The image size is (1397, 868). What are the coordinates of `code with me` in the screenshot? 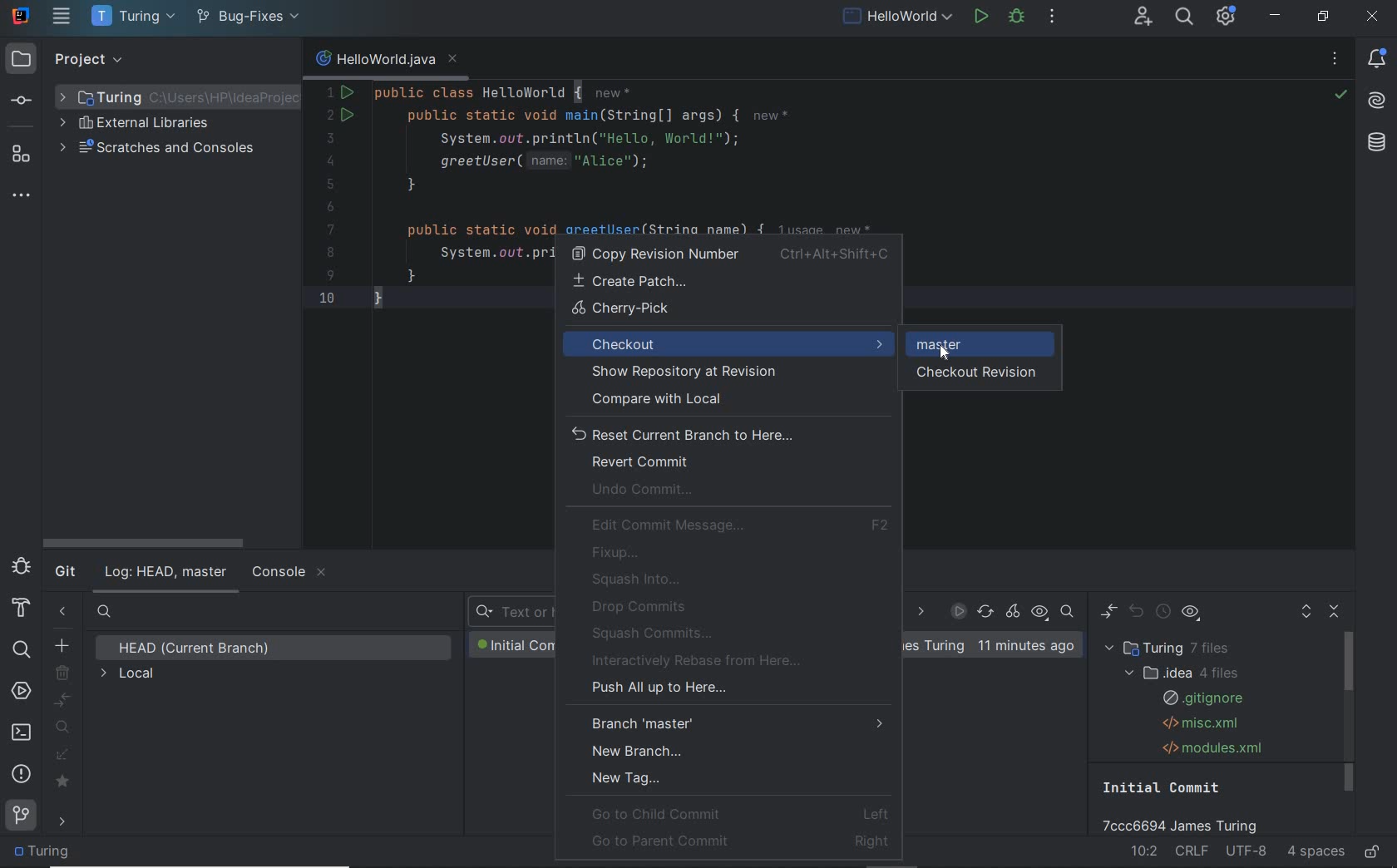 It's located at (1145, 18).